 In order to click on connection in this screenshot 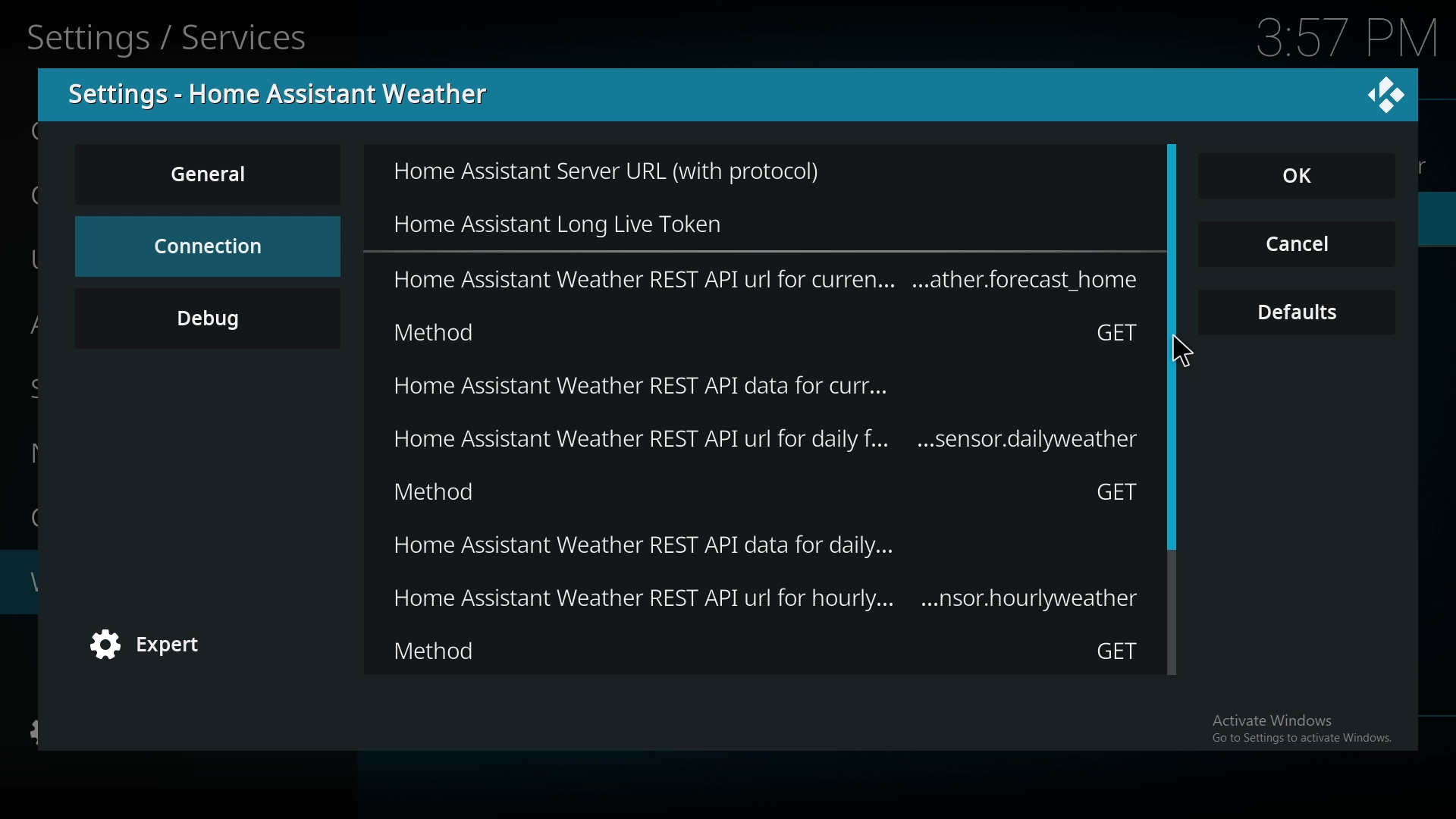, I will do `click(206, 246)`.